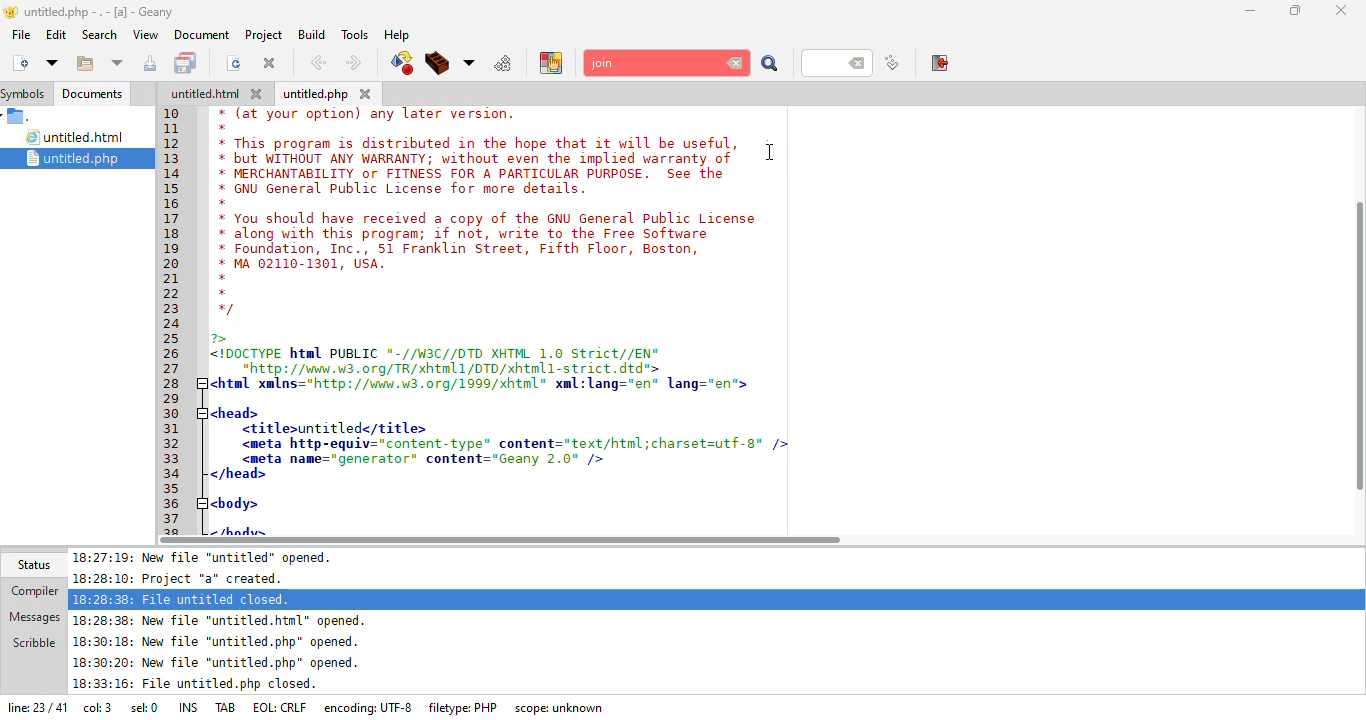 The height and width of the screenshot is (720, 1366). Describe the element at coordinates (35, 709) in the screenshot. I see `line:23/41` at that location.